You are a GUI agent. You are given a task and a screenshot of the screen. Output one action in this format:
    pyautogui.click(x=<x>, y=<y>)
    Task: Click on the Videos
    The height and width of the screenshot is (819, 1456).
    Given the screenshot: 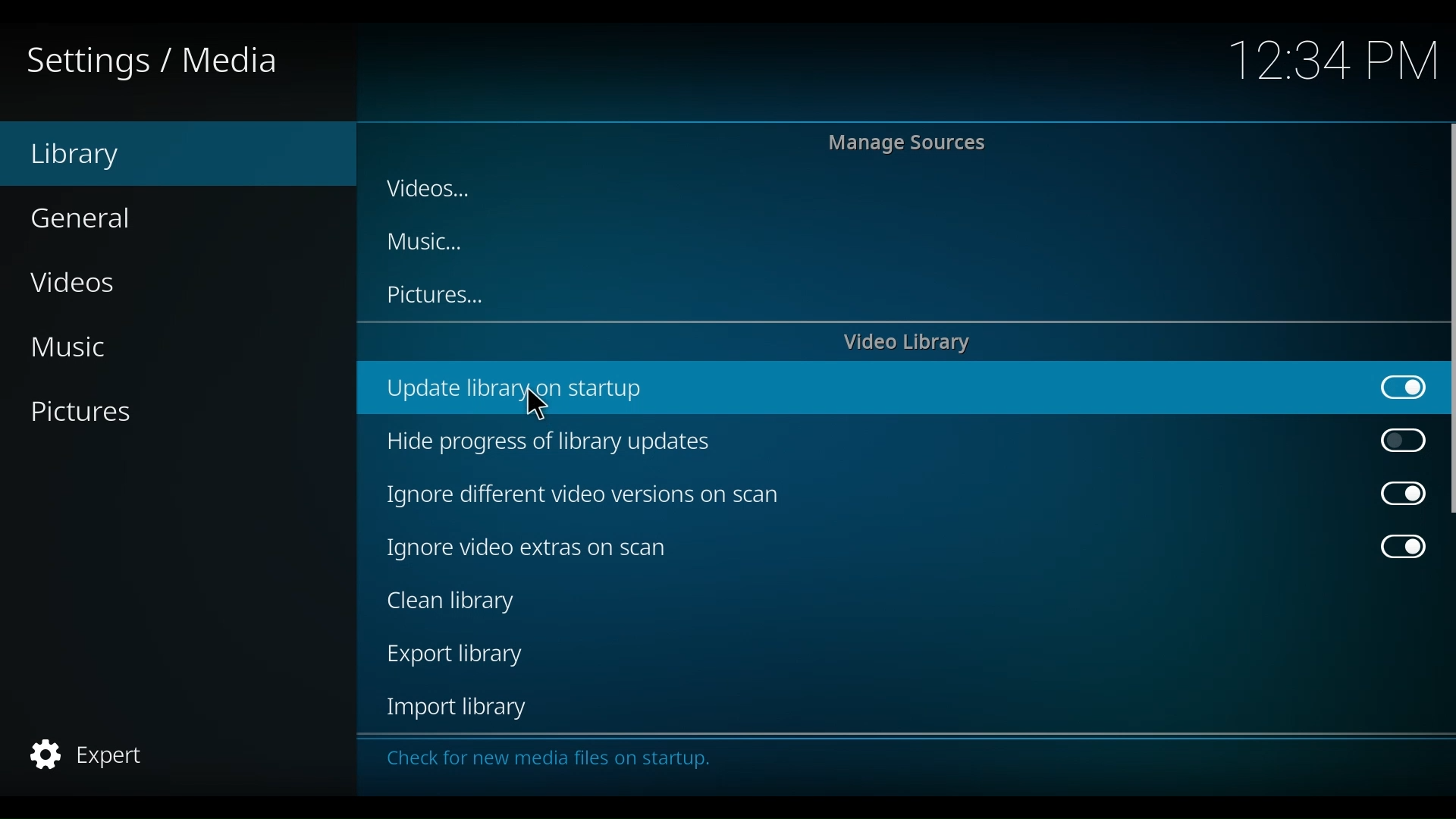 What is the action you would take?
    pyautogui.click(x=438, y=190)
    